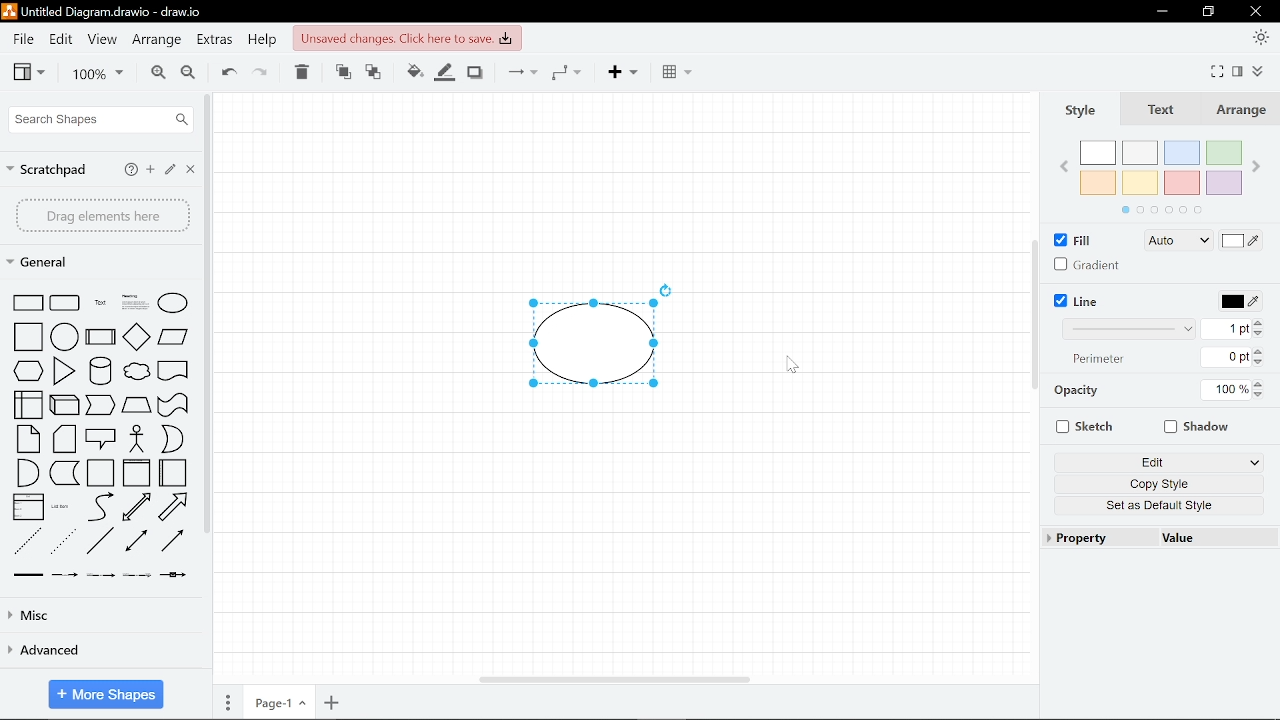 This screenshot has height=720, width=1280. What do you see at coordinates (1239, 111) in the screenshot?
I see `Arrange` at bounding box center [1239, 111].